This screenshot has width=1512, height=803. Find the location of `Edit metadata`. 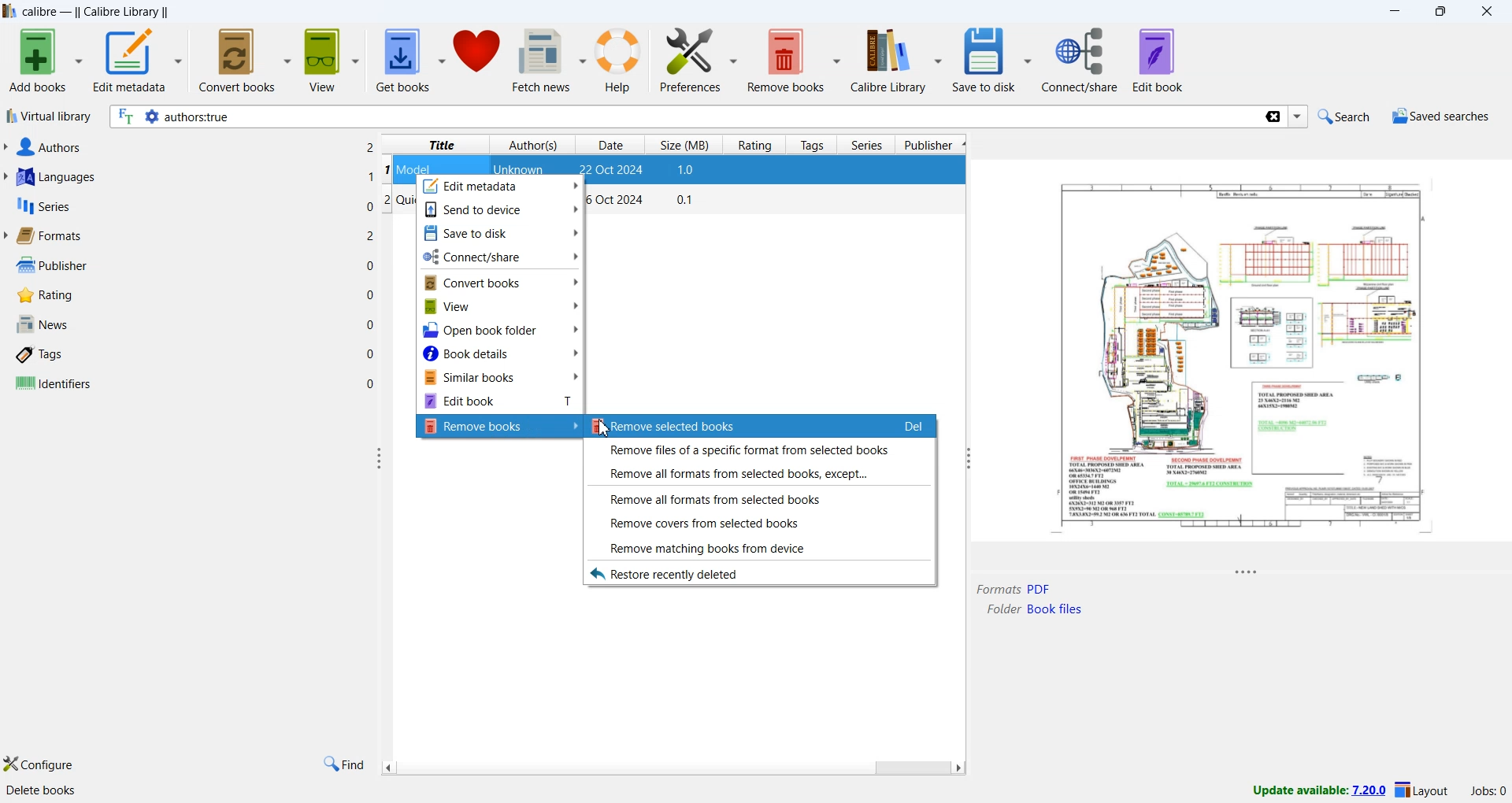

Edit metadata is located at coordinates (501, 187).